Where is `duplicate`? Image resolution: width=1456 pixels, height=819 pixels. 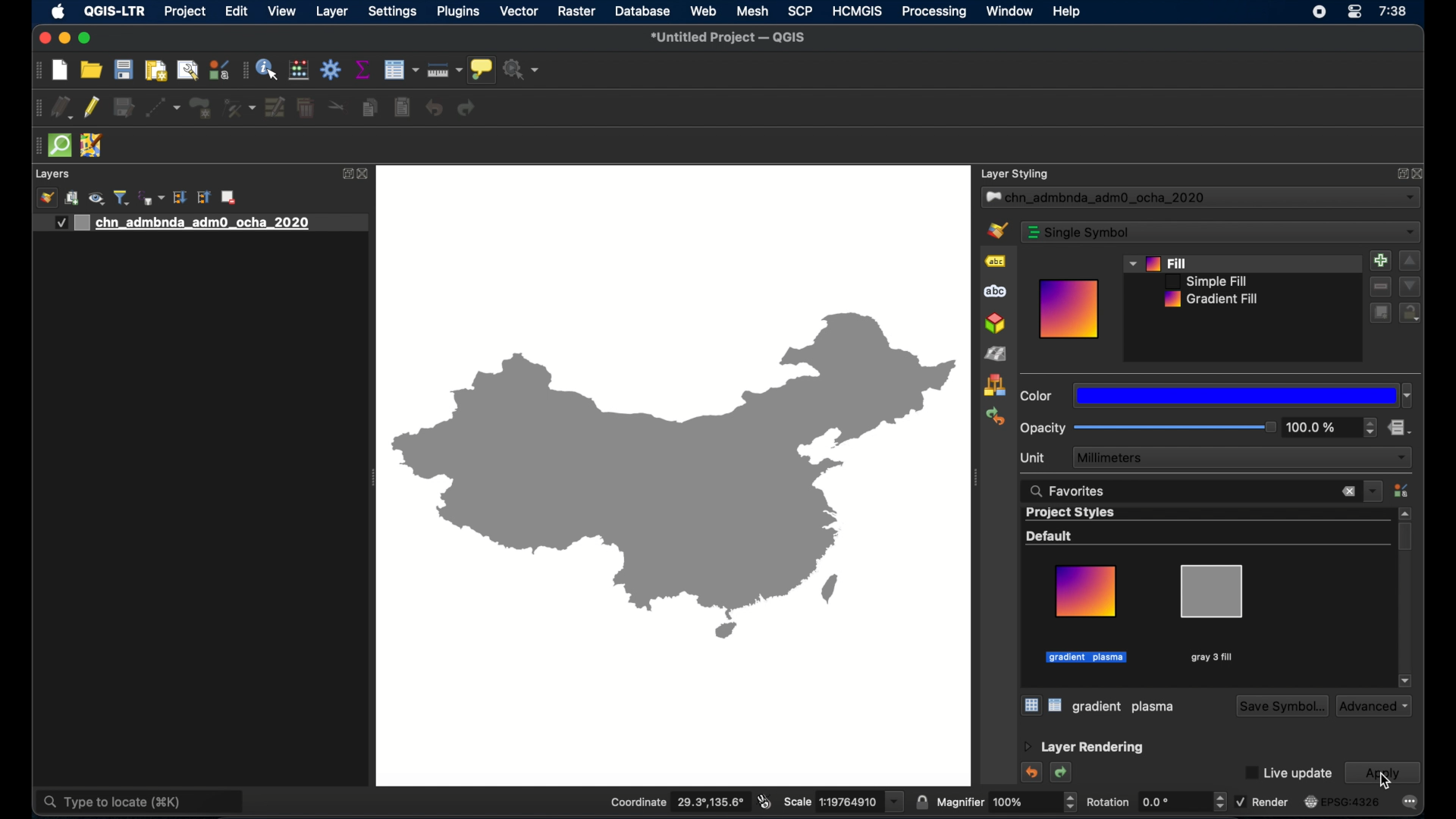
duplicate is located at coordinates (1380, 315).